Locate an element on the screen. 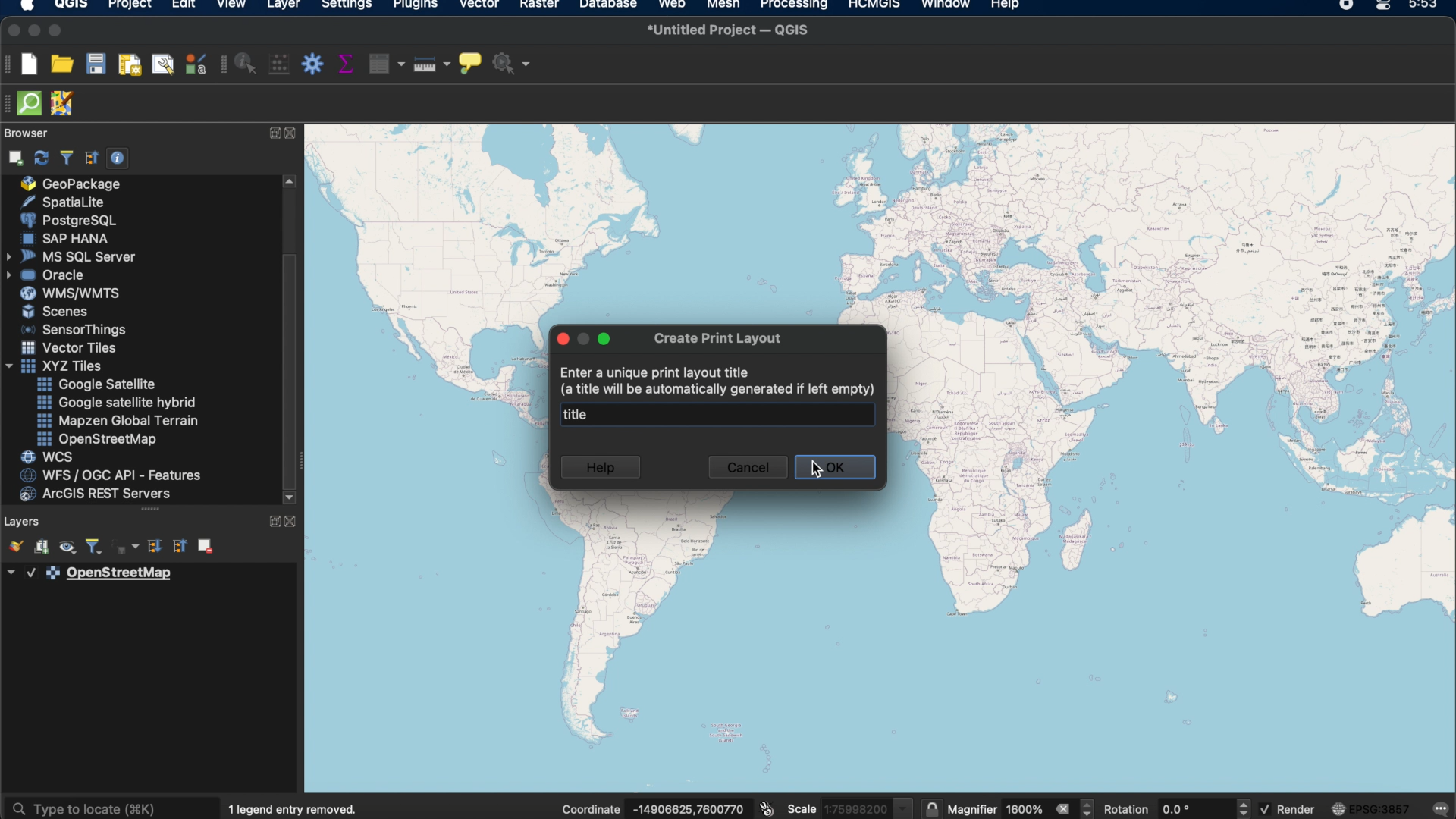 Image resolution: width=1456 pixels, height=819 pixels. was/ogc api features is located at coordinates (113, 475).